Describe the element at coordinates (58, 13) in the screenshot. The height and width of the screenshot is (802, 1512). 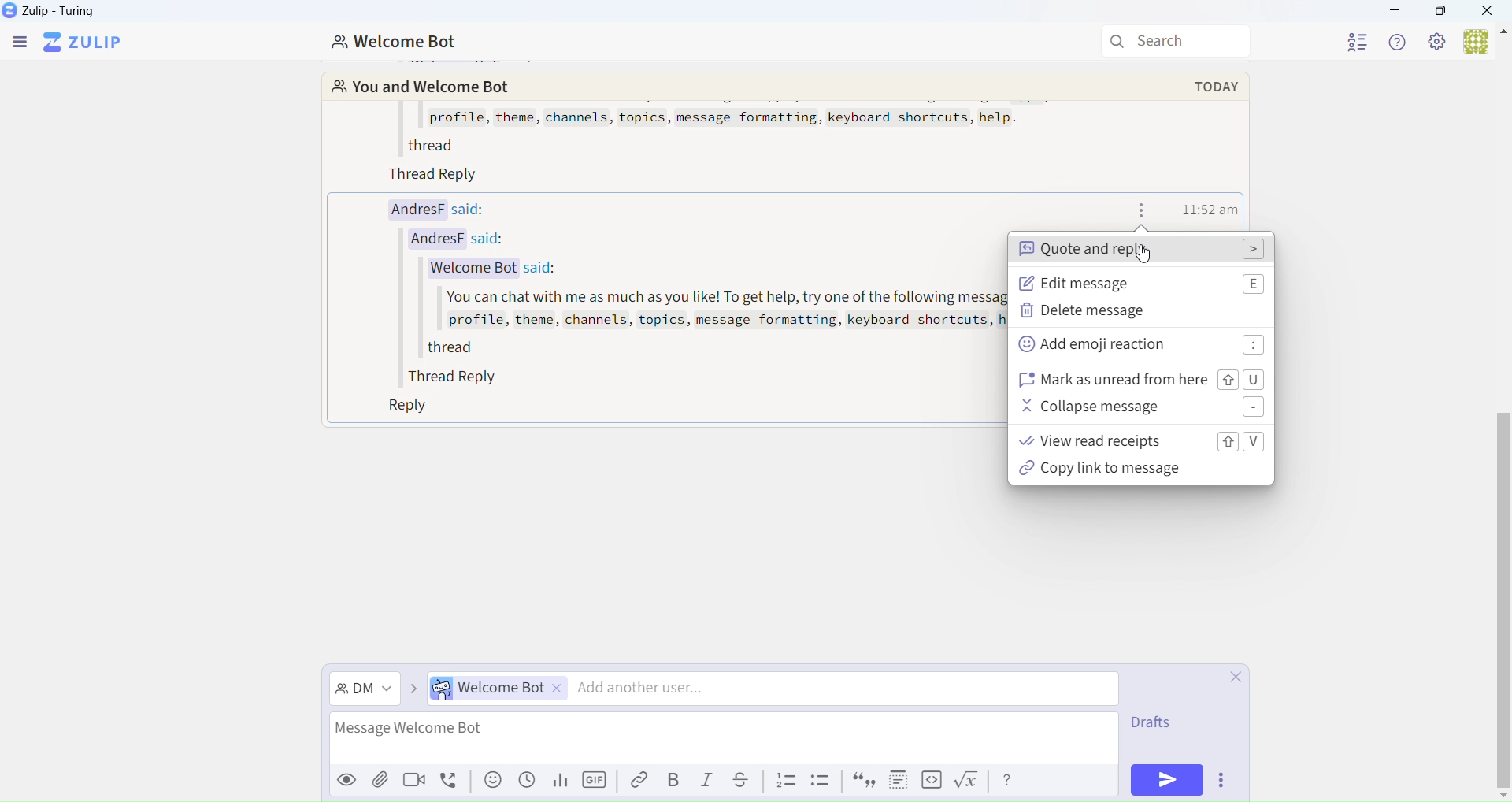
I see `Zulip` at that location.